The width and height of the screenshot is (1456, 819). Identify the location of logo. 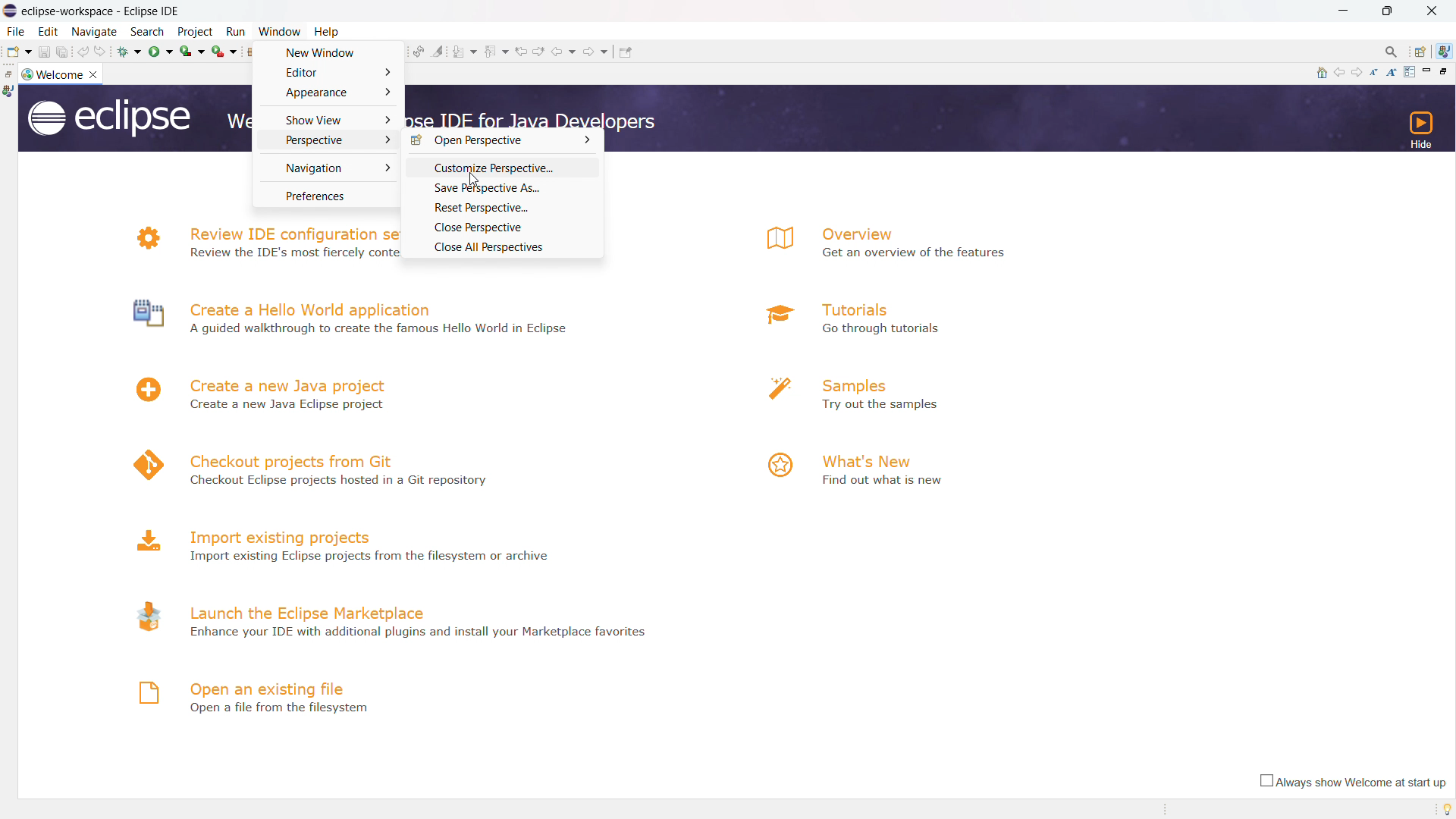
(140, 238).